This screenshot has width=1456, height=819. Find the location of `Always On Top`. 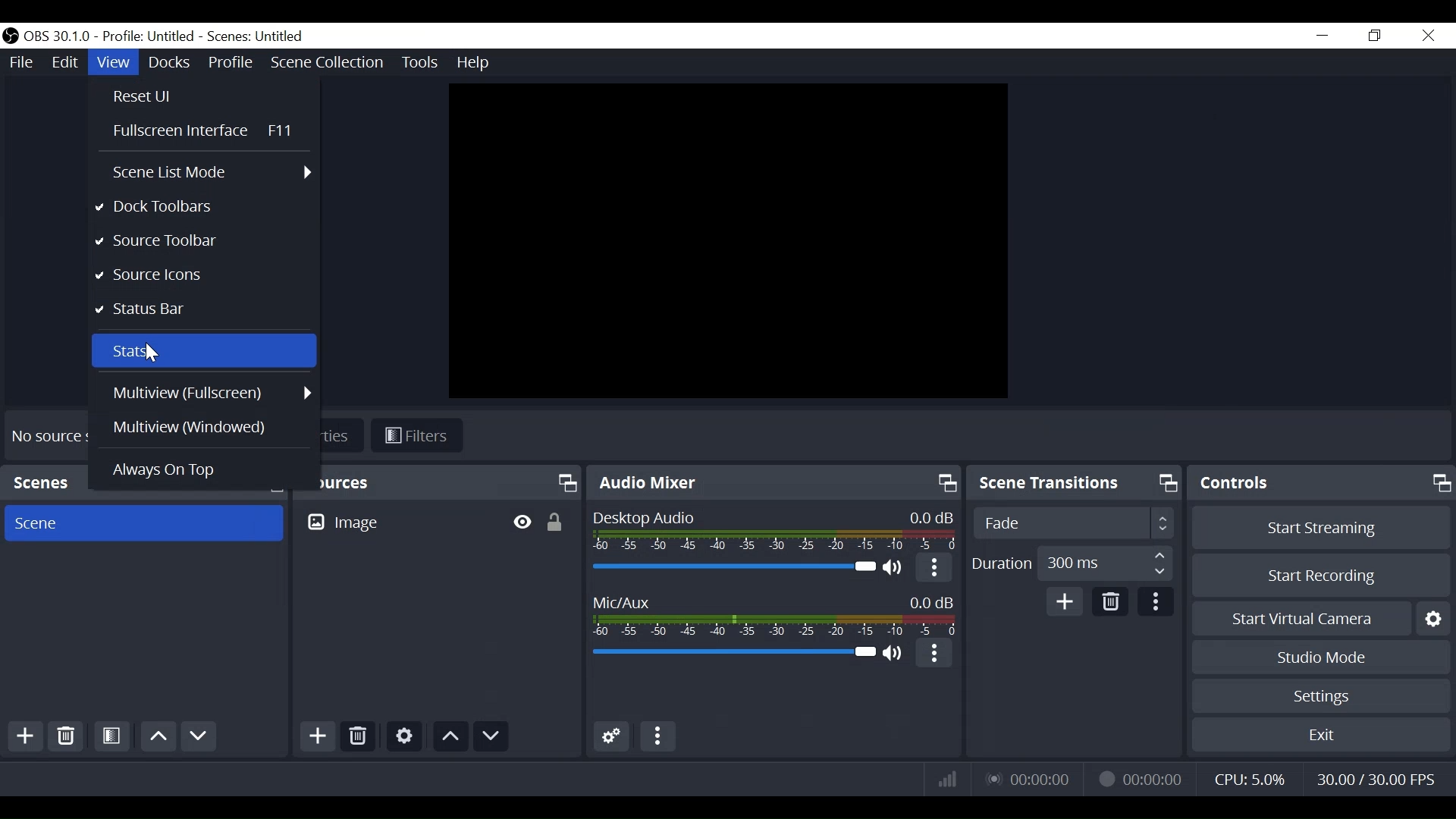

Always On Top is located at coordinates (209, 470).